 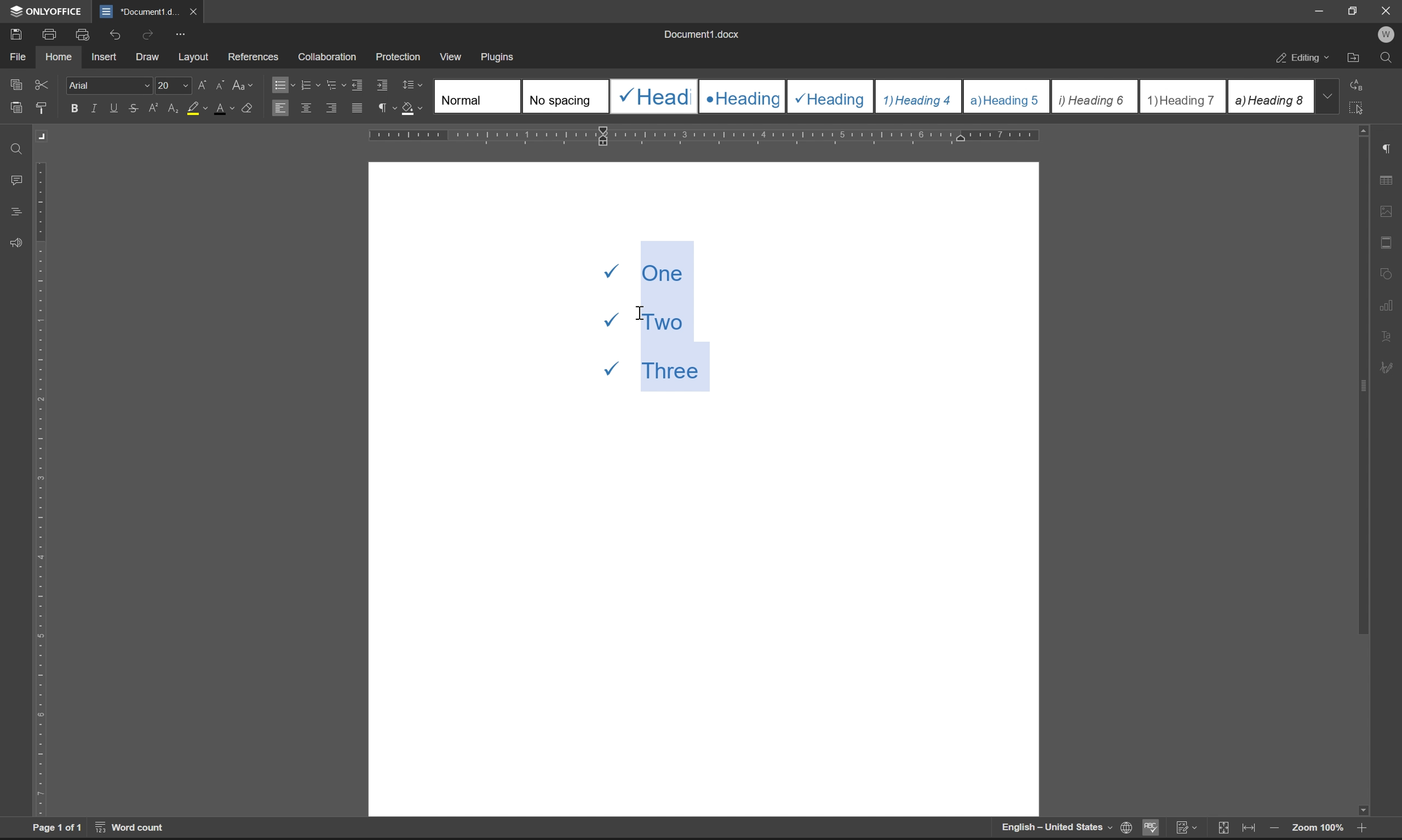 What do you see at coordinates (248, 106) in the screenshot?
I see `clear style` at bounding box center [248, 106].